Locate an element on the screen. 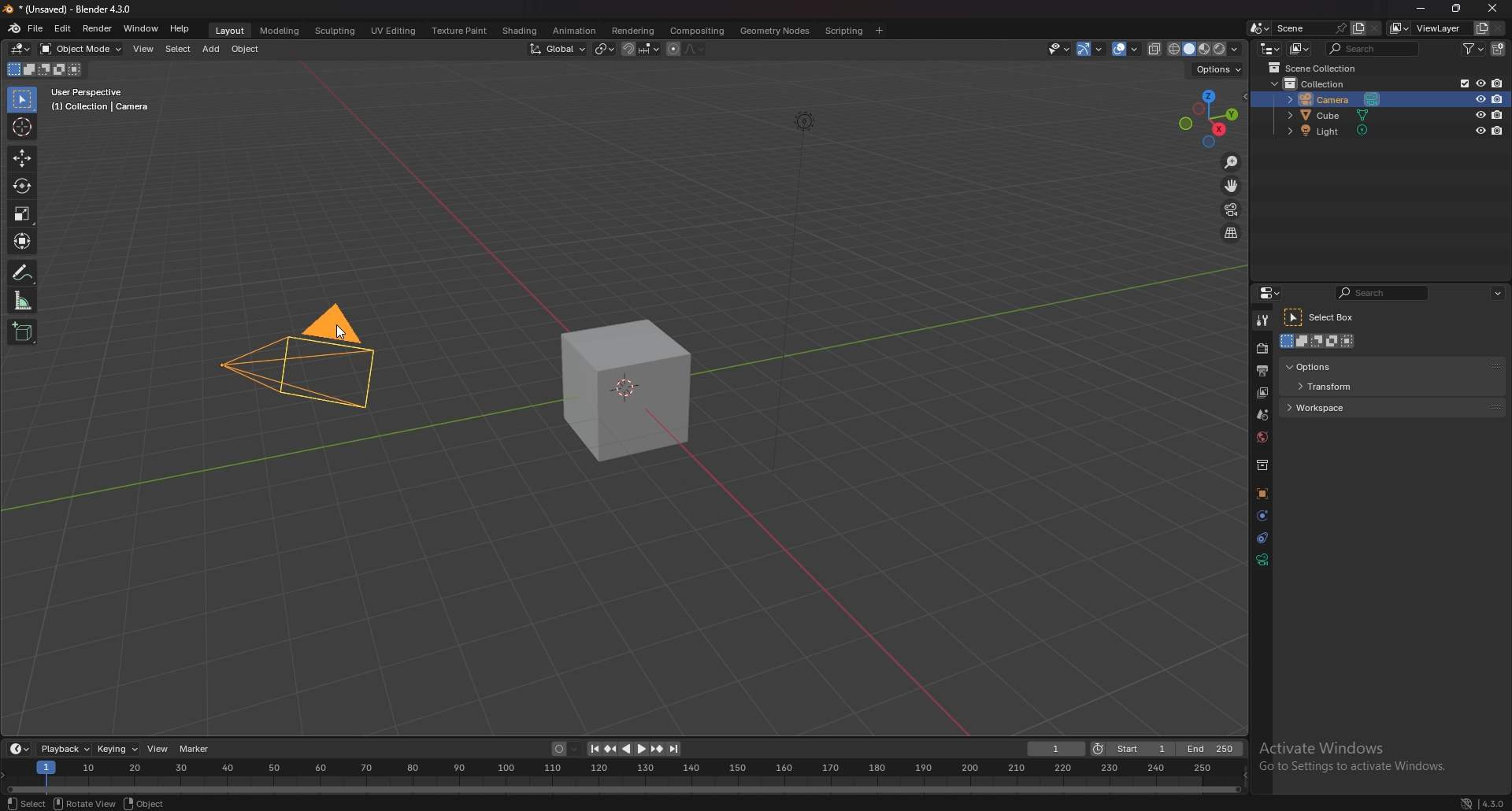 This screenshot has width=1512, height=811. move is located at coordinates (1231, 185).